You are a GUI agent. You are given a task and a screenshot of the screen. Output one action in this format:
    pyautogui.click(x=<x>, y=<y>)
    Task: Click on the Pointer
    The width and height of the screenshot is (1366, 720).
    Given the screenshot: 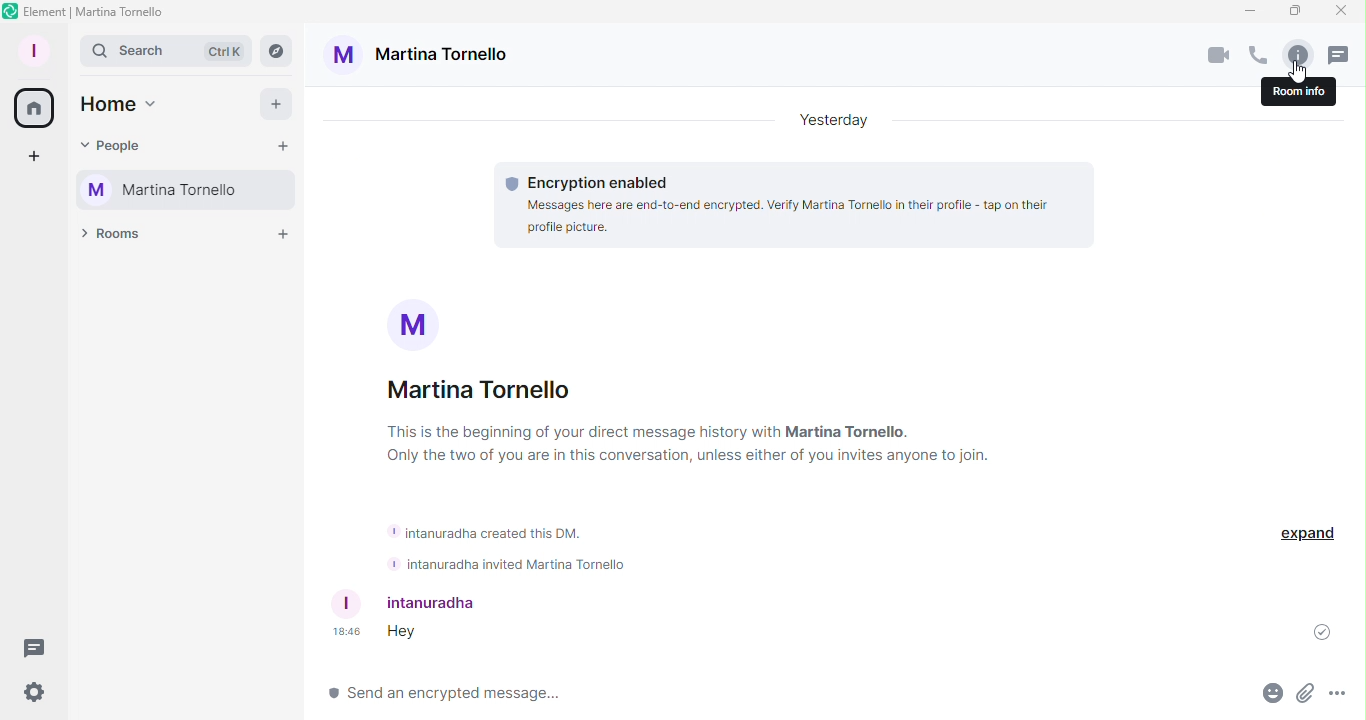 What is the action you would take?
    pyautogui.click(x=1294, y=74)
    